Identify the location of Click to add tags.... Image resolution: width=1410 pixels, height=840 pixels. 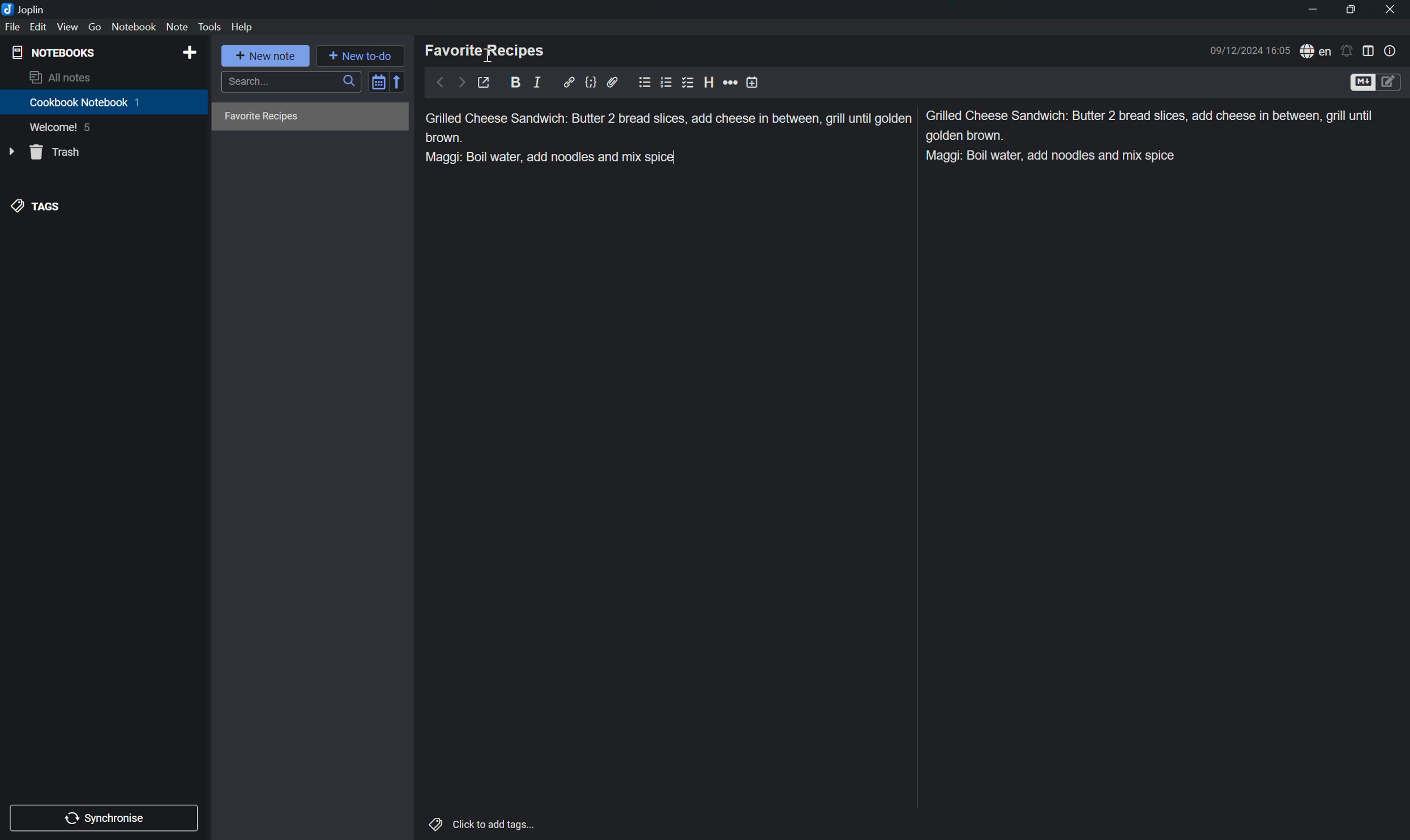
(484, 826).